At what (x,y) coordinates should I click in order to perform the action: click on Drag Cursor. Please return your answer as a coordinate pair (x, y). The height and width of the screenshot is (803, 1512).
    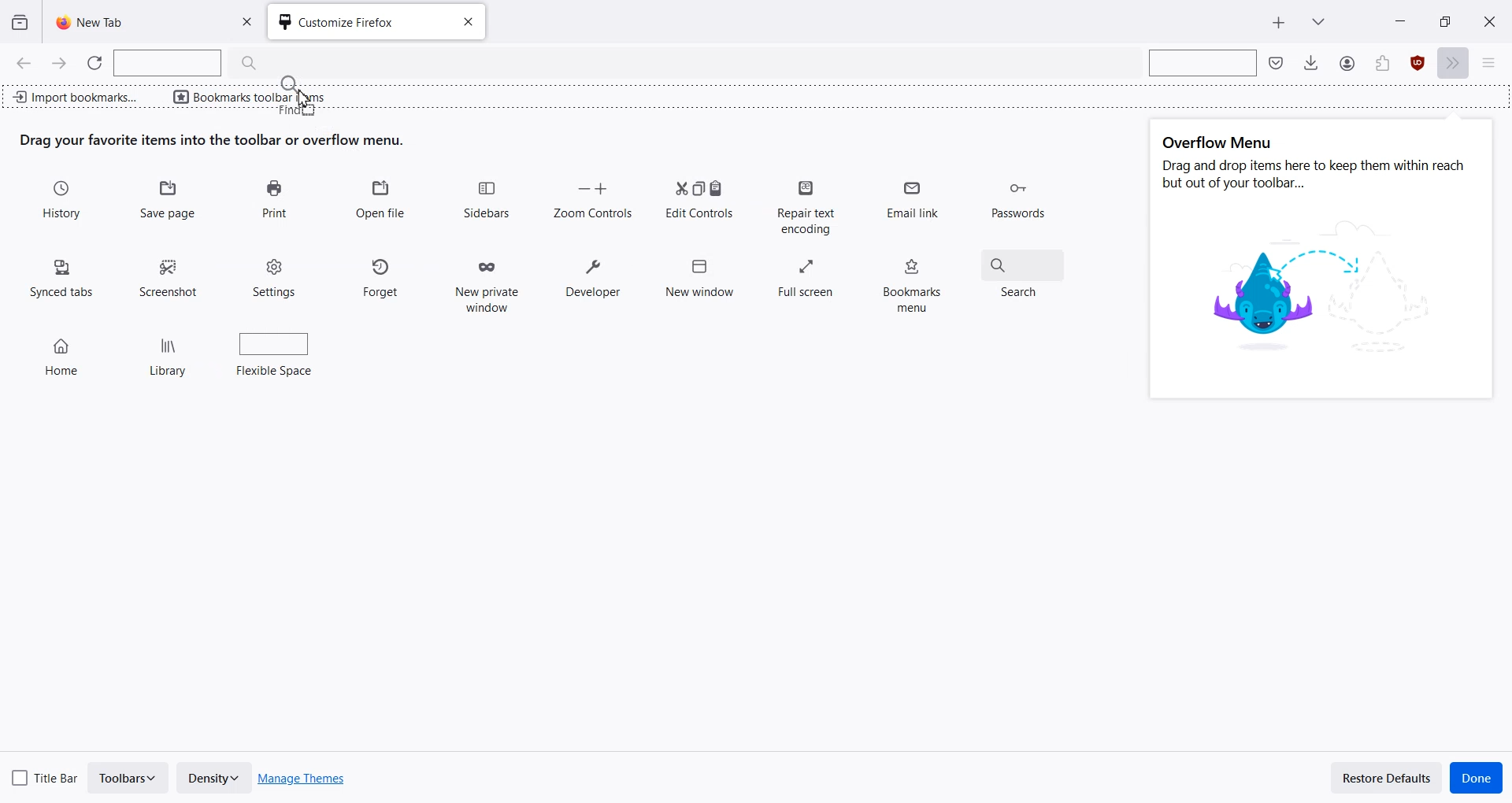
    Looking at the image, I should click on (303, 100).